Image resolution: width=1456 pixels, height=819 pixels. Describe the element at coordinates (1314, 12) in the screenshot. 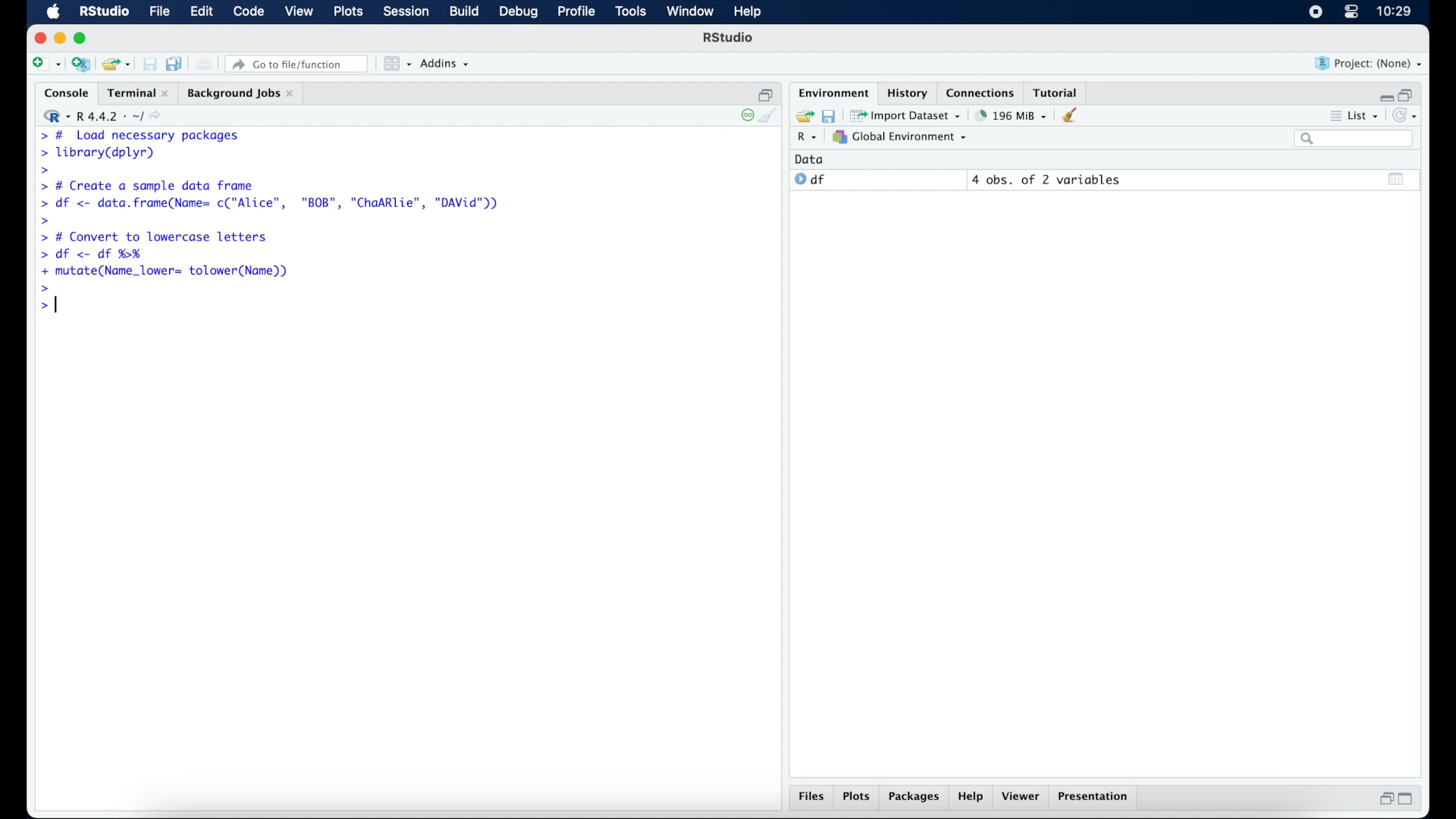

I see `screen recorder icon` at that location.